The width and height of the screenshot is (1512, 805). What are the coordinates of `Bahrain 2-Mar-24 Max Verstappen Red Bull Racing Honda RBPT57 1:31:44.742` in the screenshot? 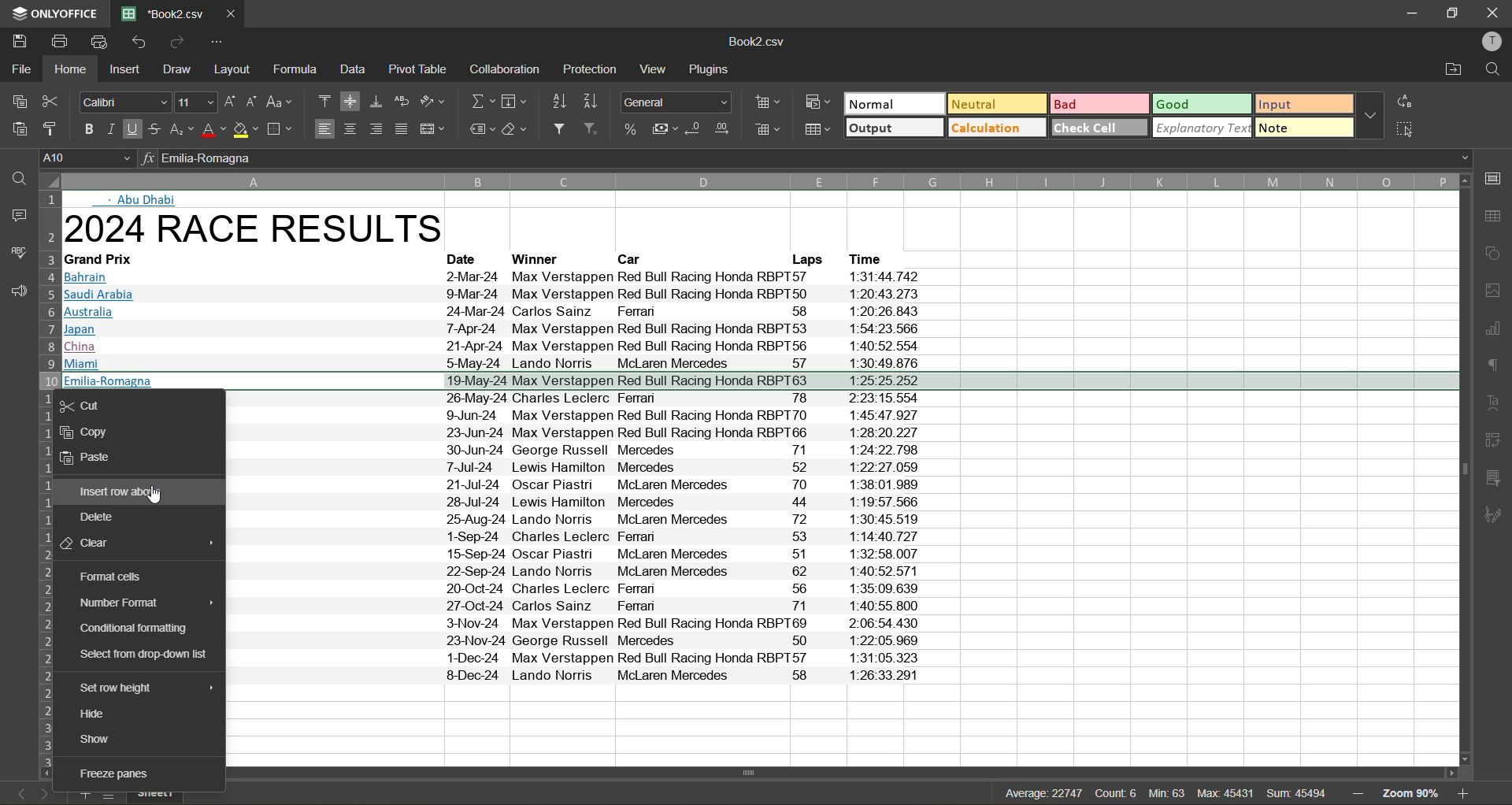 It's located at (495, 277).